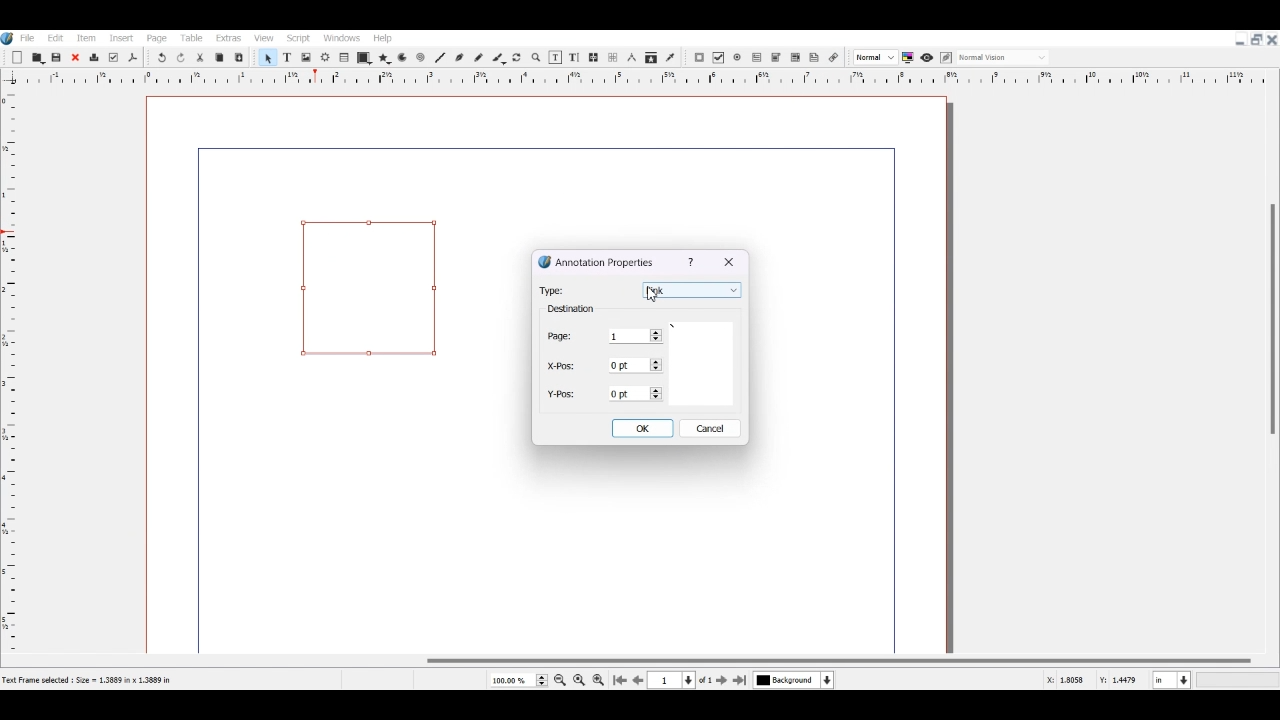  What do you see at coordinates (654, 293) in the screenshot?
I see `Cursor` at bounding box center [654, 293].